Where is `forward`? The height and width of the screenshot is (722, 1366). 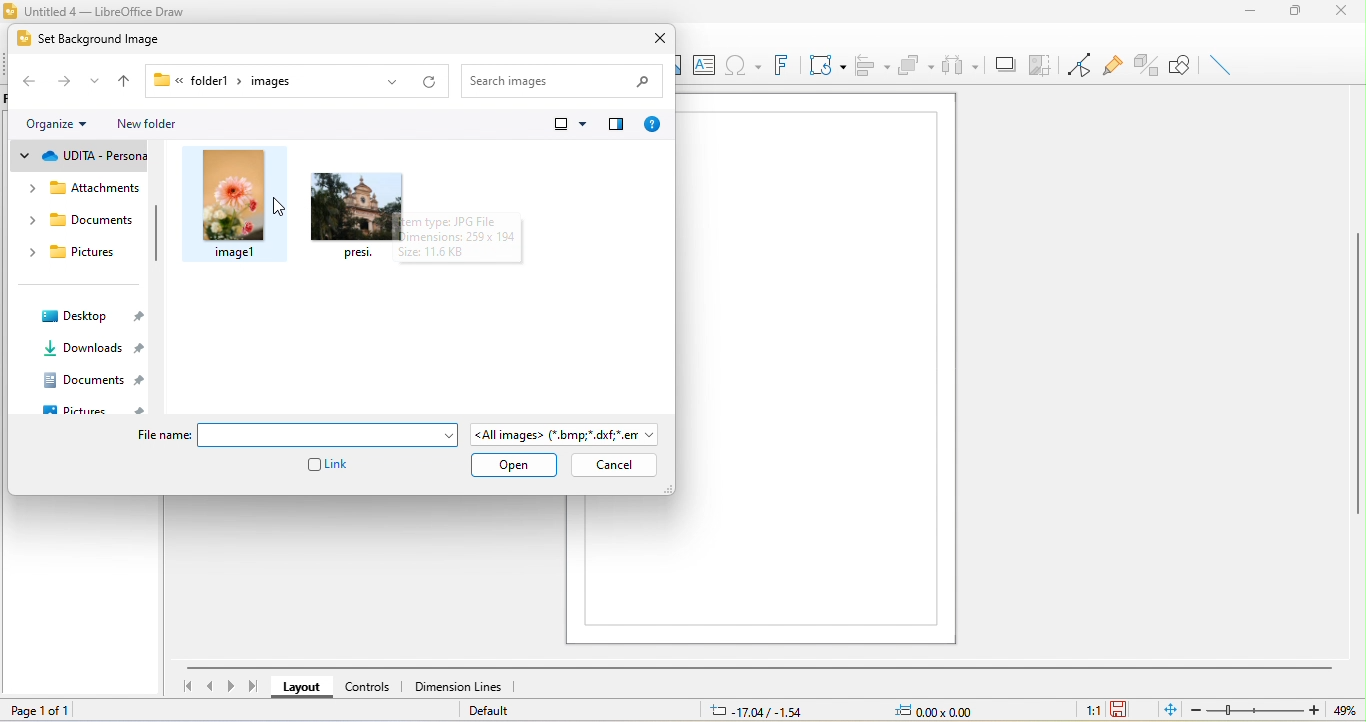 forward is located at coordinates (61, 80).